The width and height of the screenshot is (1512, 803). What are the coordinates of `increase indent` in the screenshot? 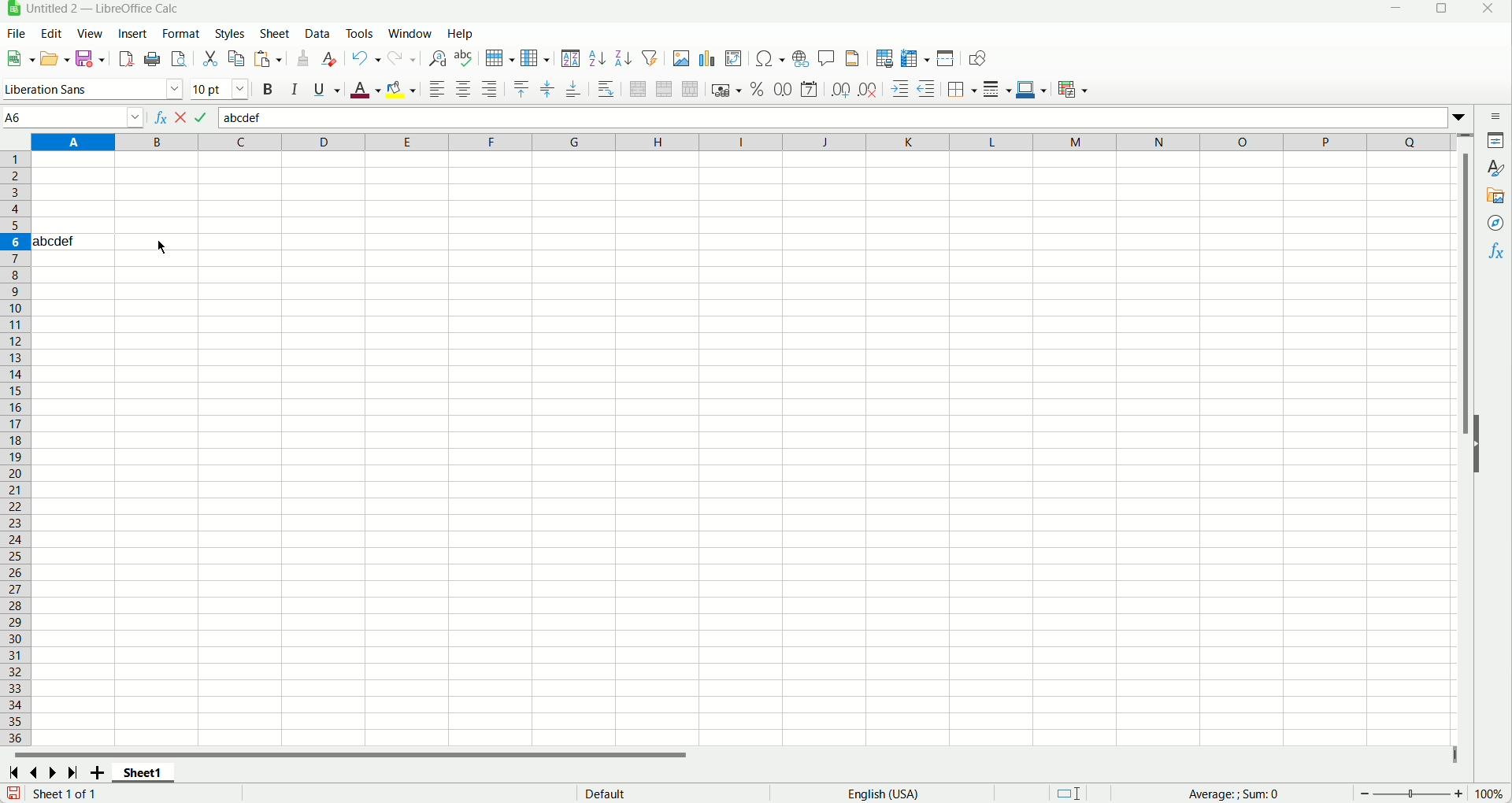 It's located at (900, 89).